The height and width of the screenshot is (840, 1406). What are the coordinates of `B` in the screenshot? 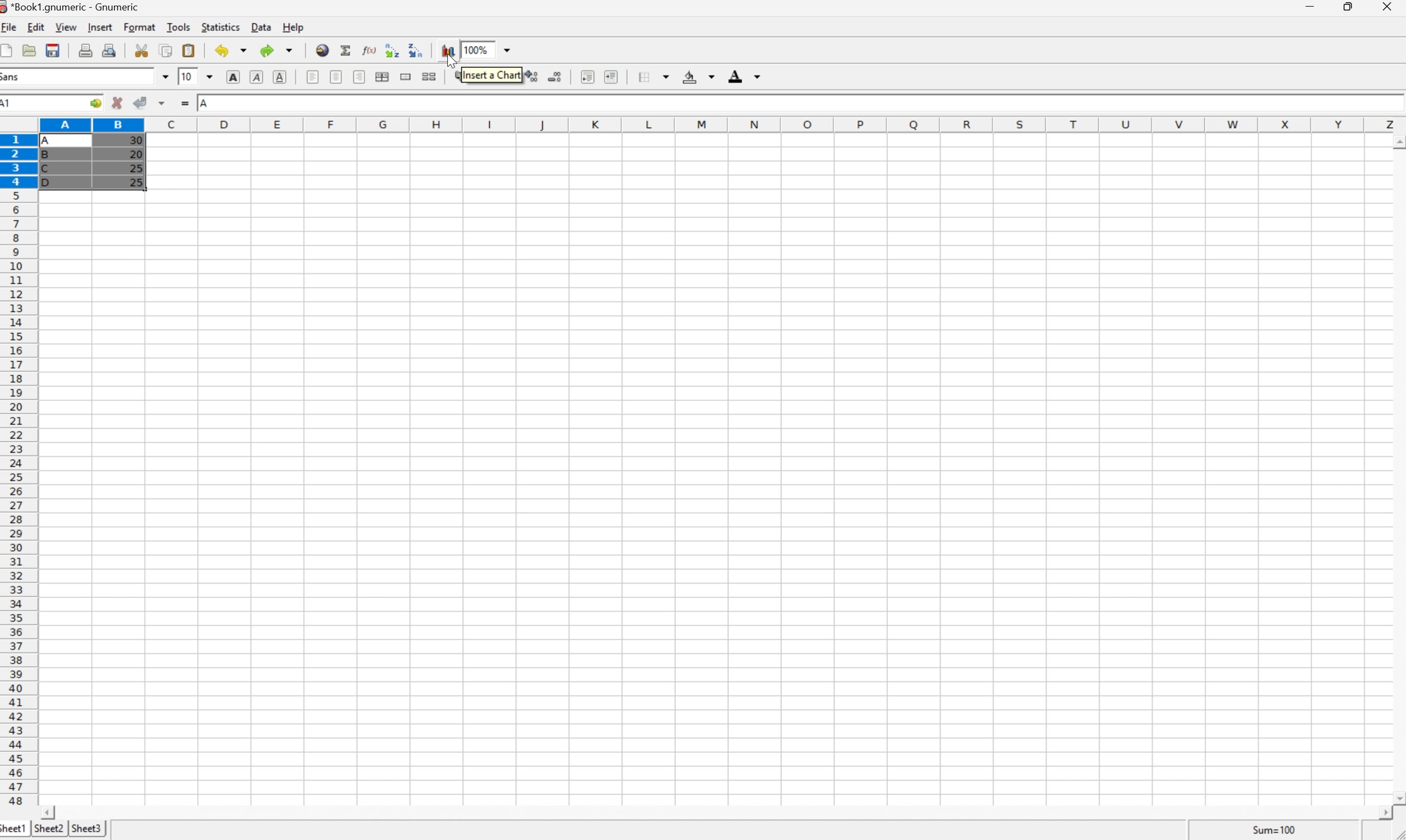 It's located at (49, 156).